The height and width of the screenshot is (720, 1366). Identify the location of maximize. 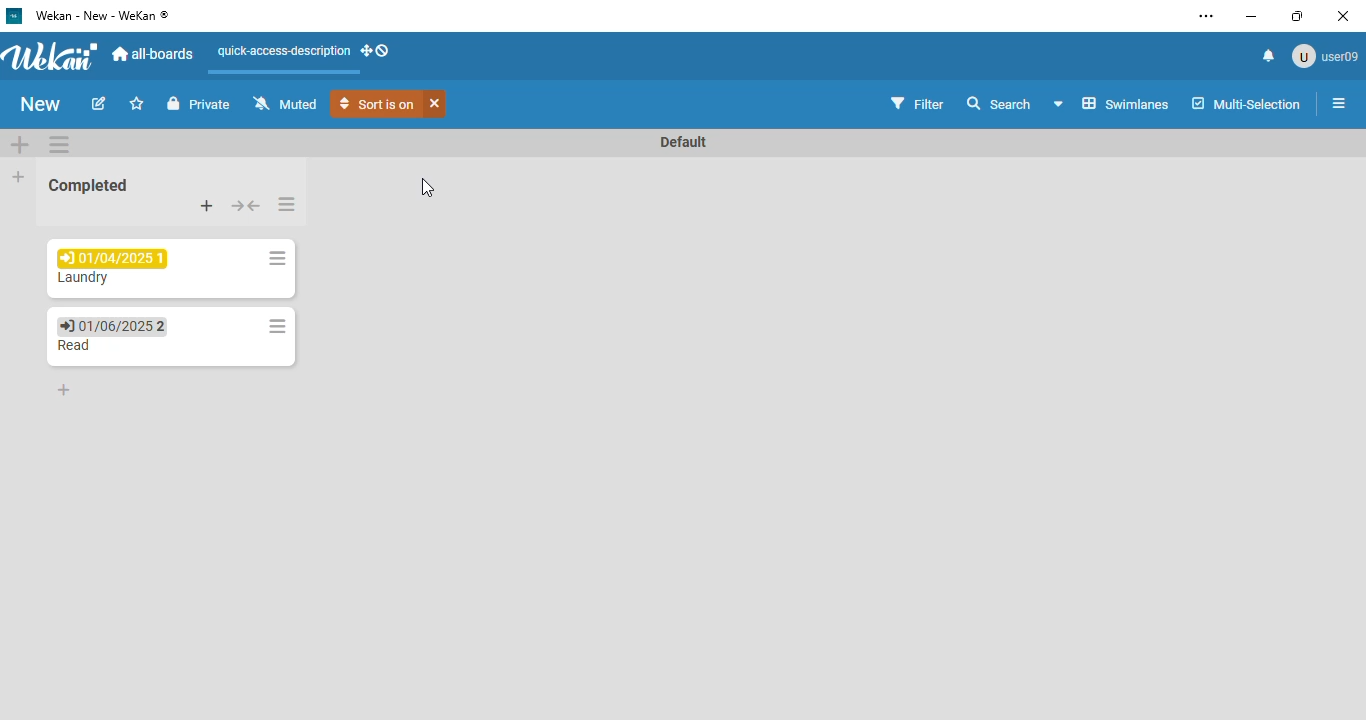
(1298, 16).